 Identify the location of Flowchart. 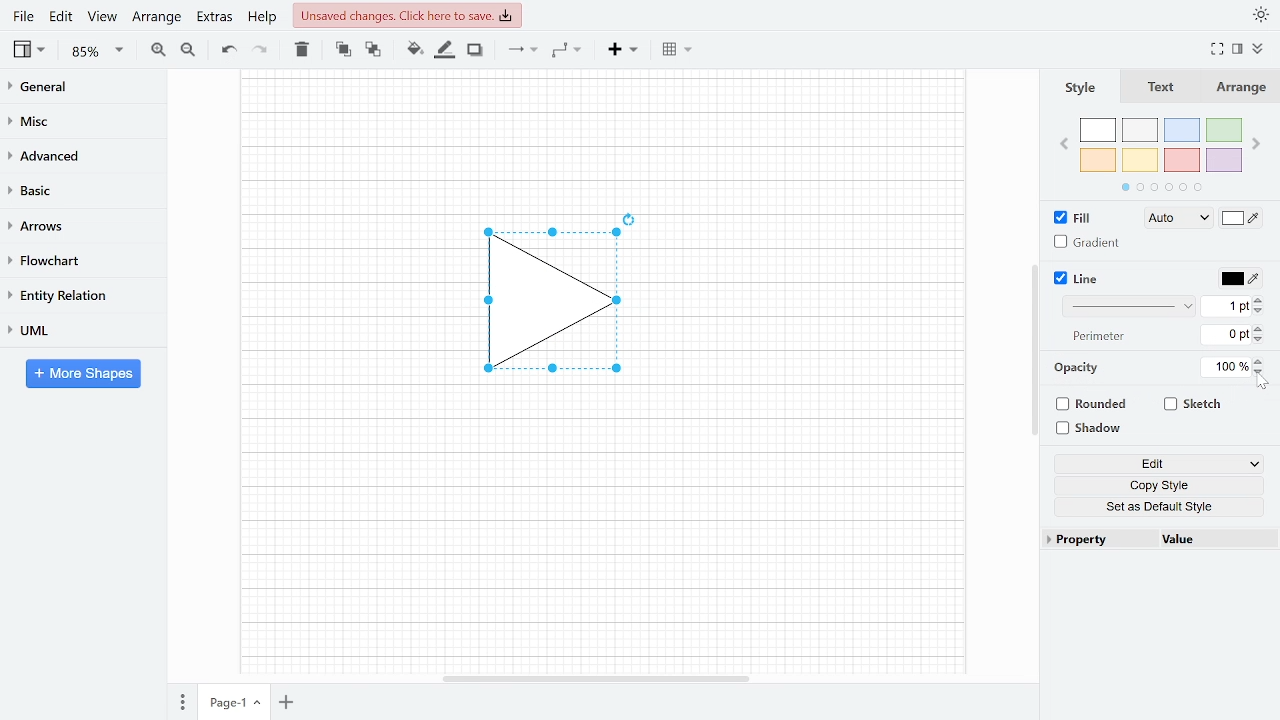
(75, 261).